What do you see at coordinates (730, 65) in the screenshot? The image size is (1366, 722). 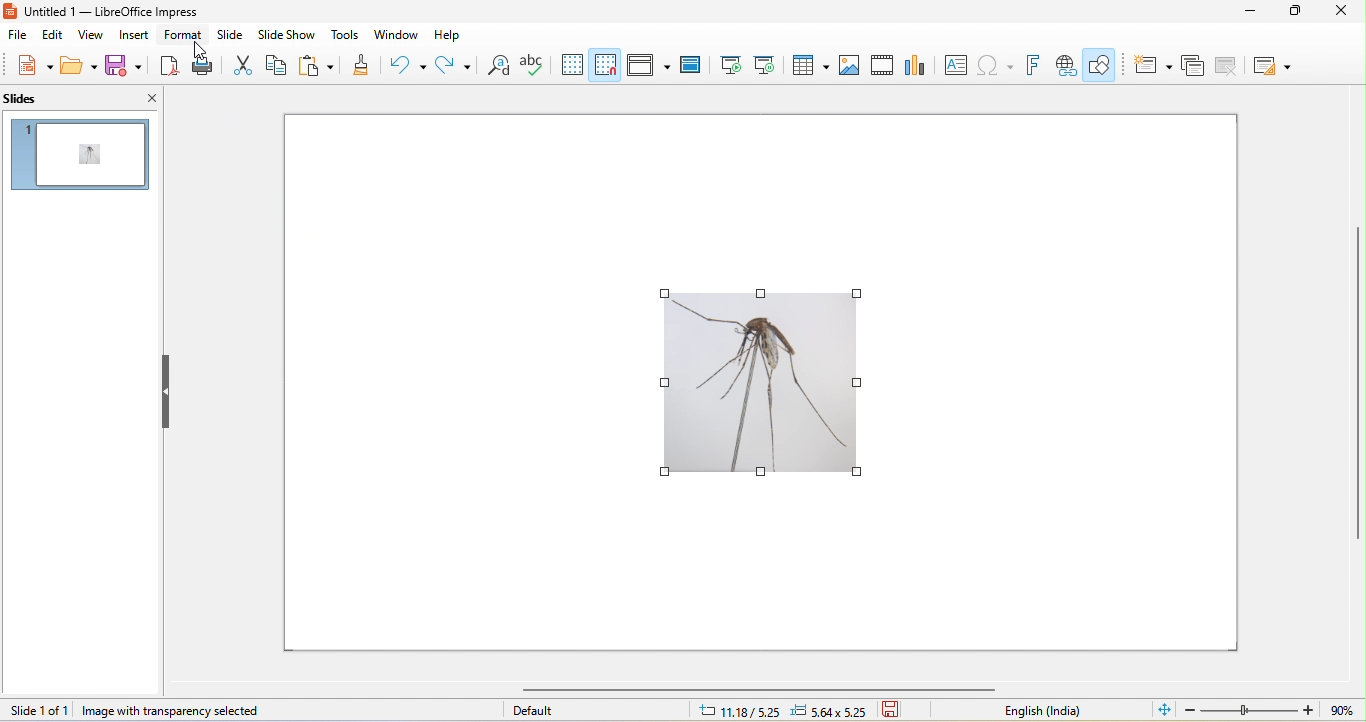 I see `start from beginning` at bounding box center [730, 65].